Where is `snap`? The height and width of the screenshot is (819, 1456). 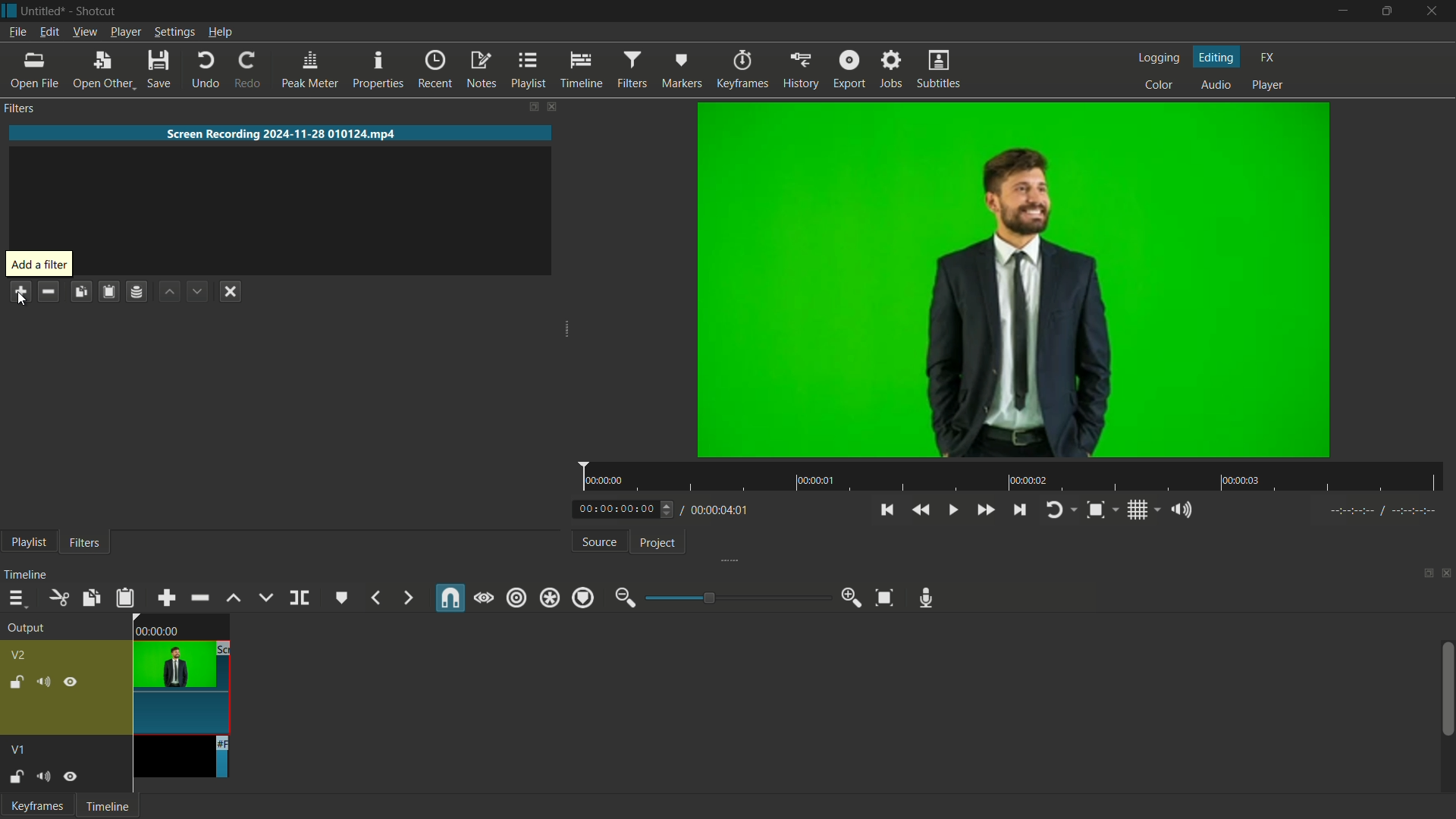
snap is located at coordinates (451, 598).